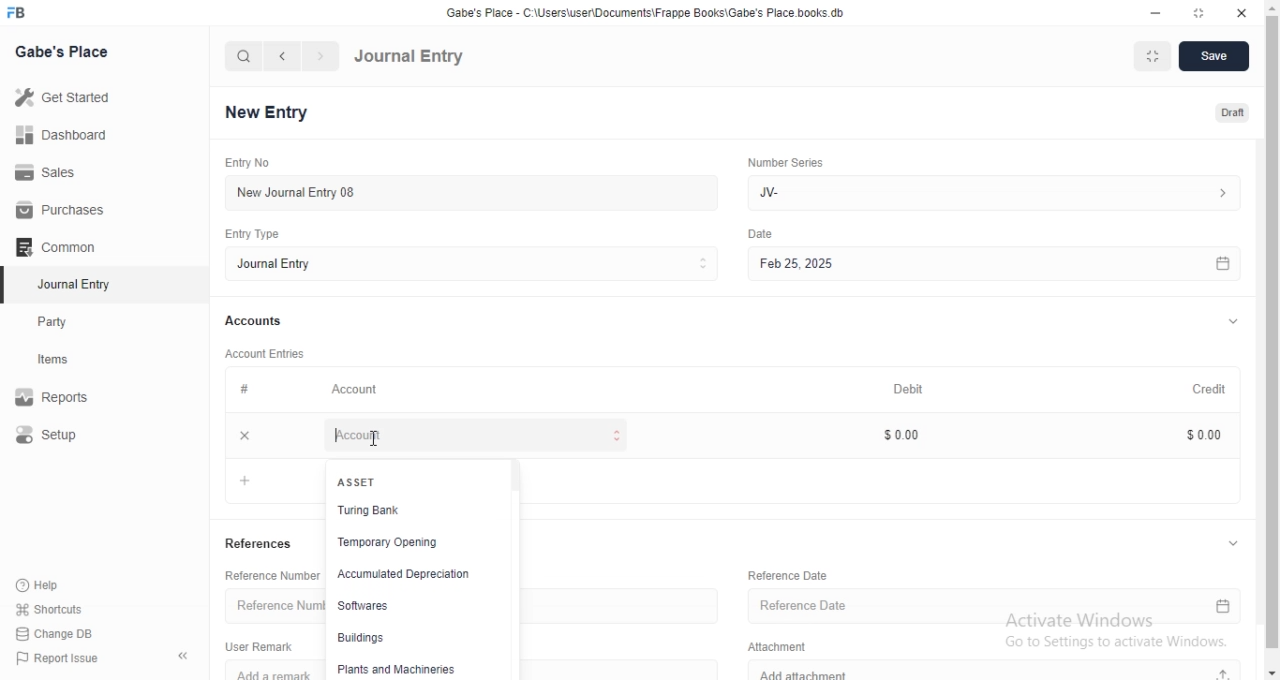 This screenshot has width=1280, height=680. I want to click on minimize, so click(1160, 11).